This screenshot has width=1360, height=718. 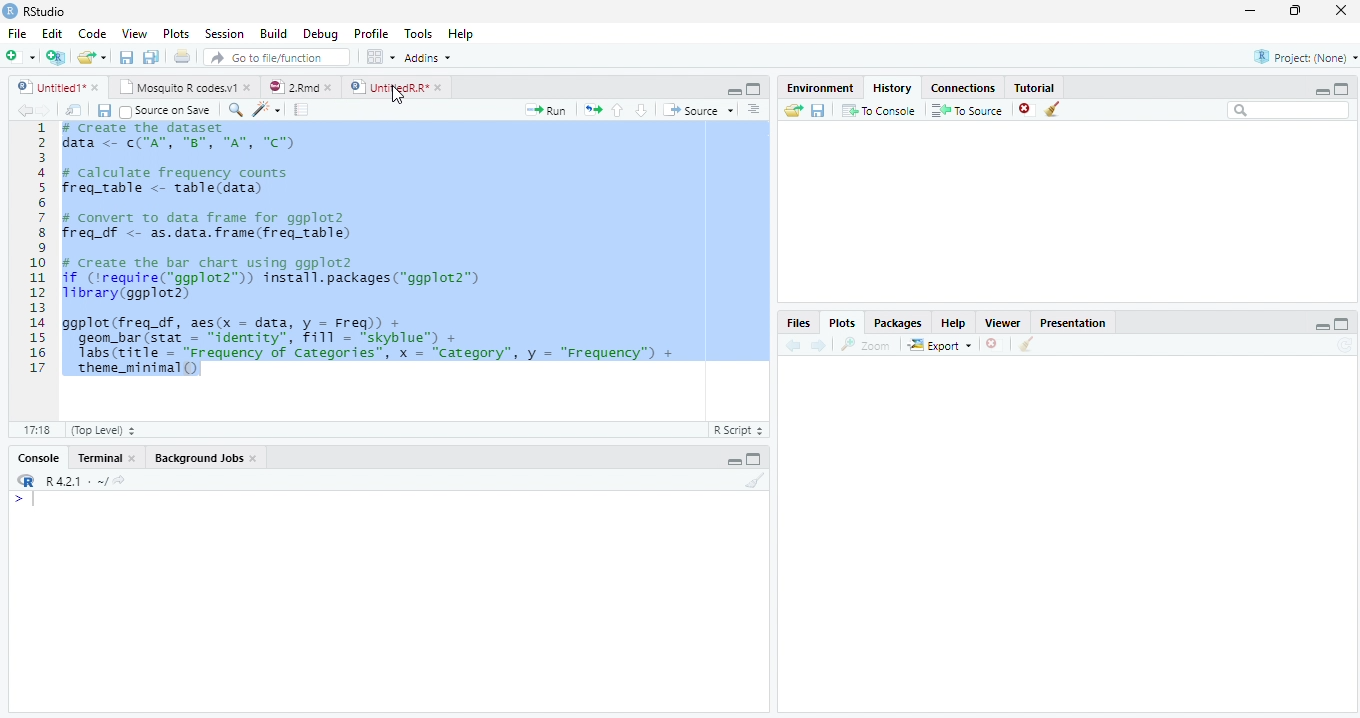 I want to click on Create the dataset data <- c("a", "8", "A", "¢")calculate frequency countsreq_table <- table(data)Convert to data frame for ggplot2req_df <- as. data. frame(freq_table)Create the bar chart using ggplot2f (irequire(“ggplot2”)) install.packages(“ggplot2”)ibrary(ggplot2)gplot(freq df, aes(x = data, y = Freq) +geom_bar (stat = “identity”, fill = "skyblue") +labs (title = "Frequency of Categories”, x = “Category”, y = Frequency”) +theme_minimal 0], so click(x=416, y=248).